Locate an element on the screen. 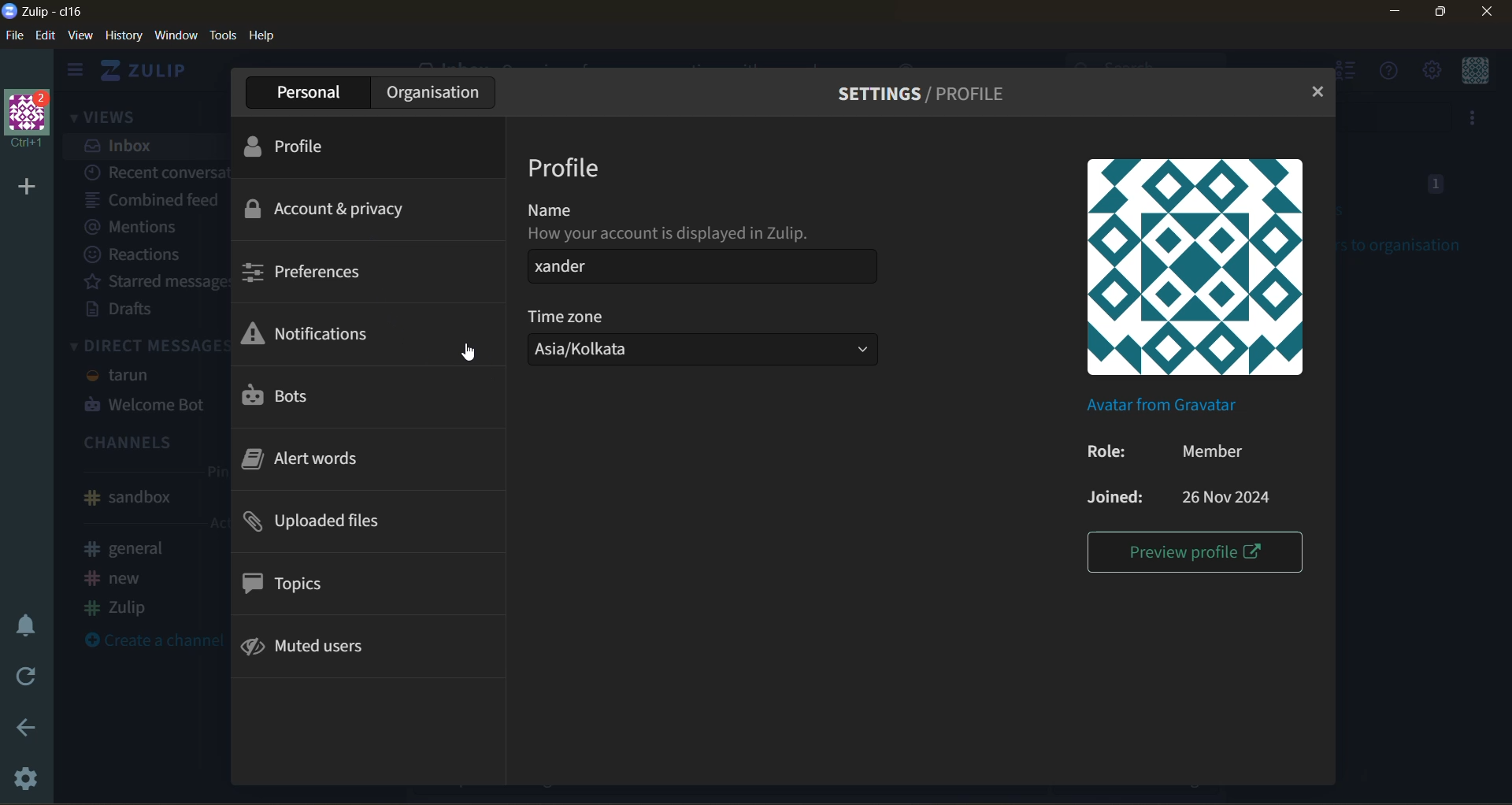 Image resolution: width=1512 pixels, height=805 pixels. file is located at coordinates (15, 36).